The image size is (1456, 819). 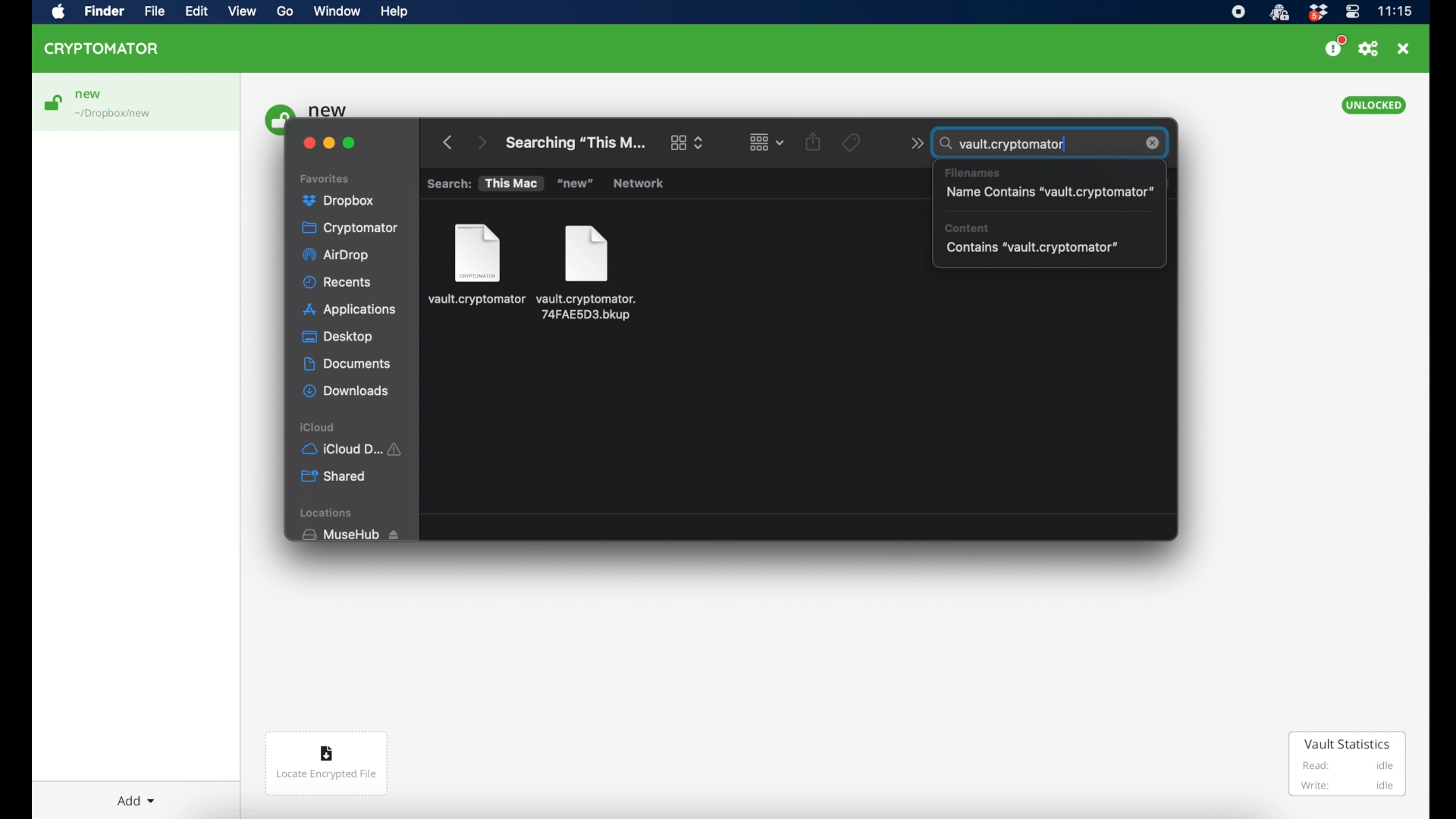 I want to click on close, so click(x=1403, y=49).